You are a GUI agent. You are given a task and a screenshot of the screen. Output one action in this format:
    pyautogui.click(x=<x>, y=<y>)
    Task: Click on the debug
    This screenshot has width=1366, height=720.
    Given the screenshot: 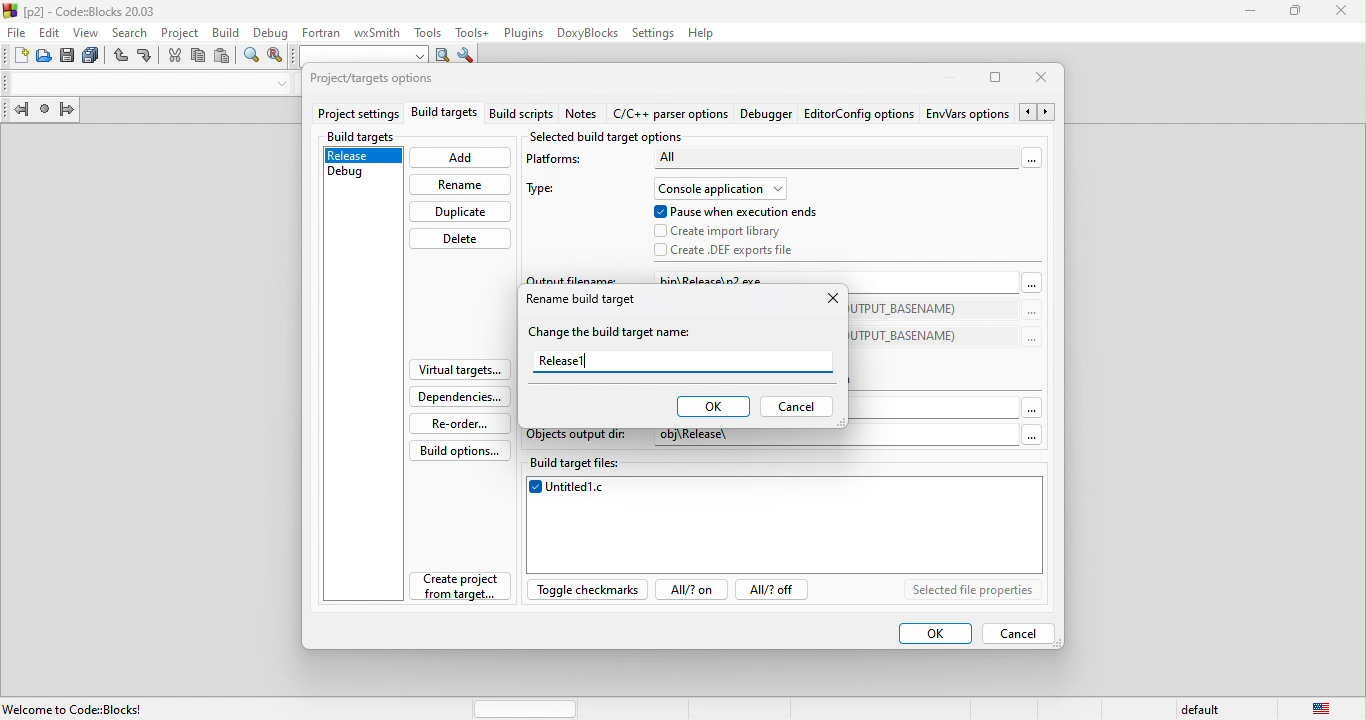 What is the action you would take?
    pyautogui.click(x=269, y=31)
    